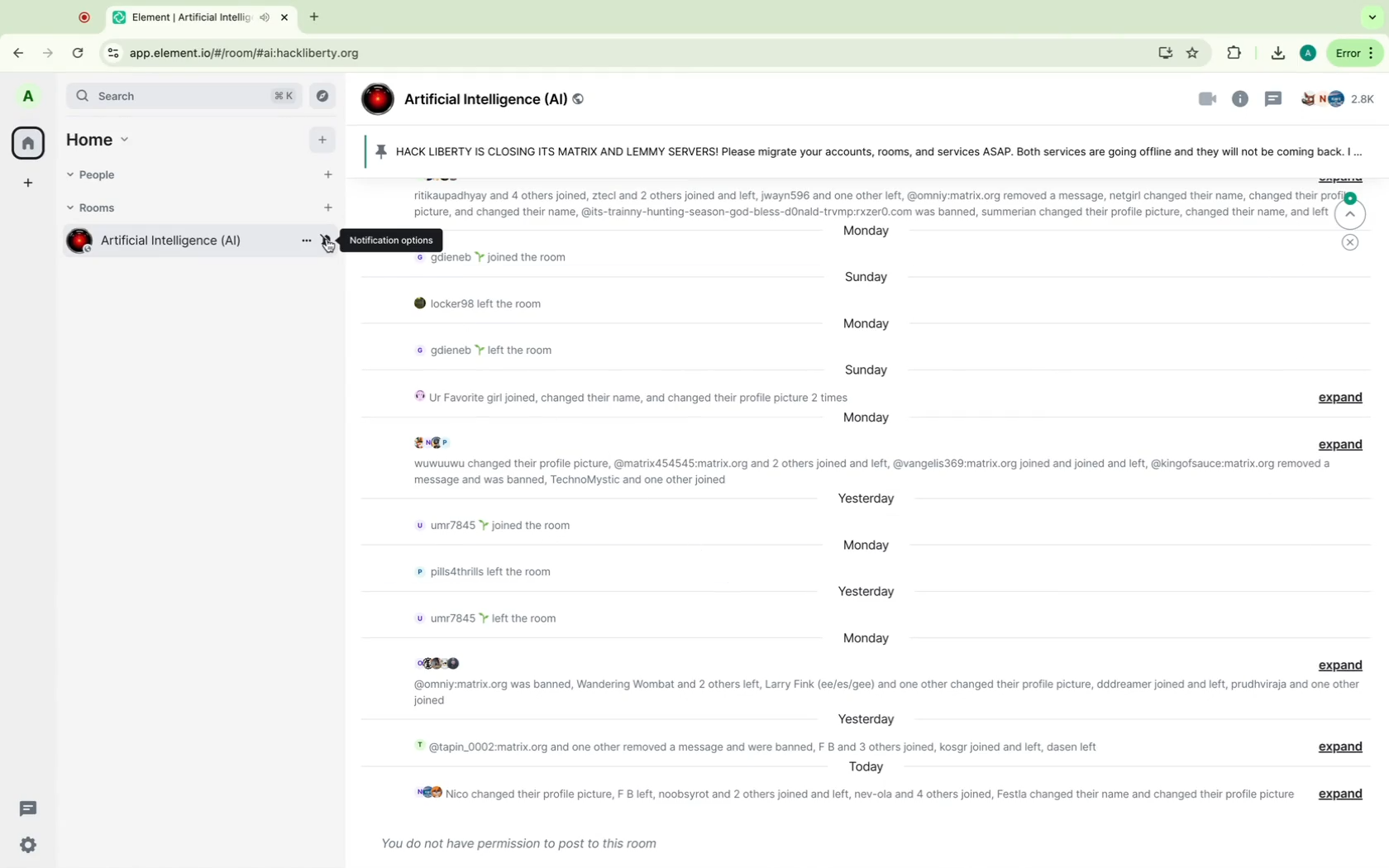 The width and height of the screenshot is (1389, 868). I want to click on day, so click(876, 325).